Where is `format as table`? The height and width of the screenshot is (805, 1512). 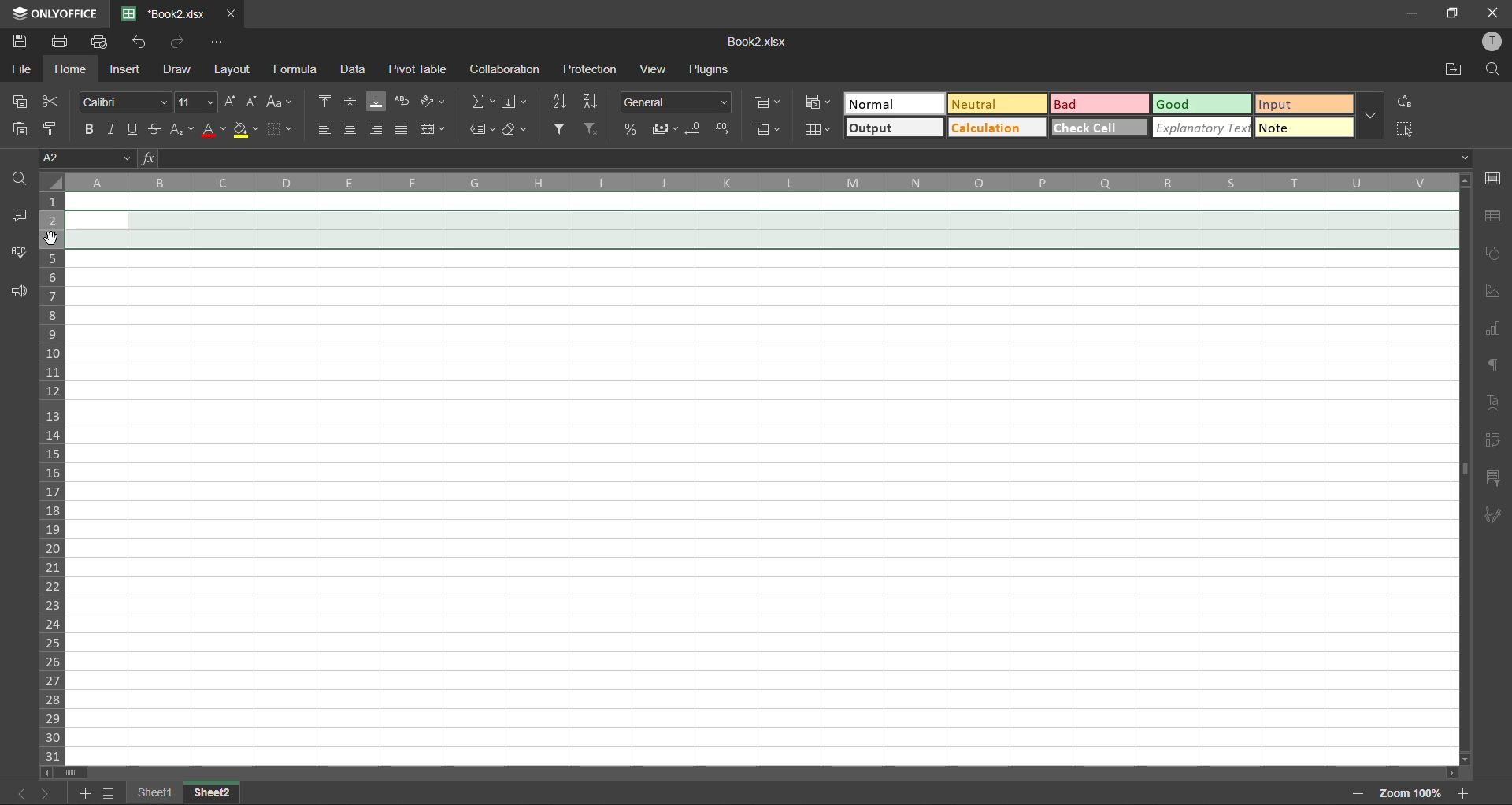 format as table is located at coordinates (821, 131).